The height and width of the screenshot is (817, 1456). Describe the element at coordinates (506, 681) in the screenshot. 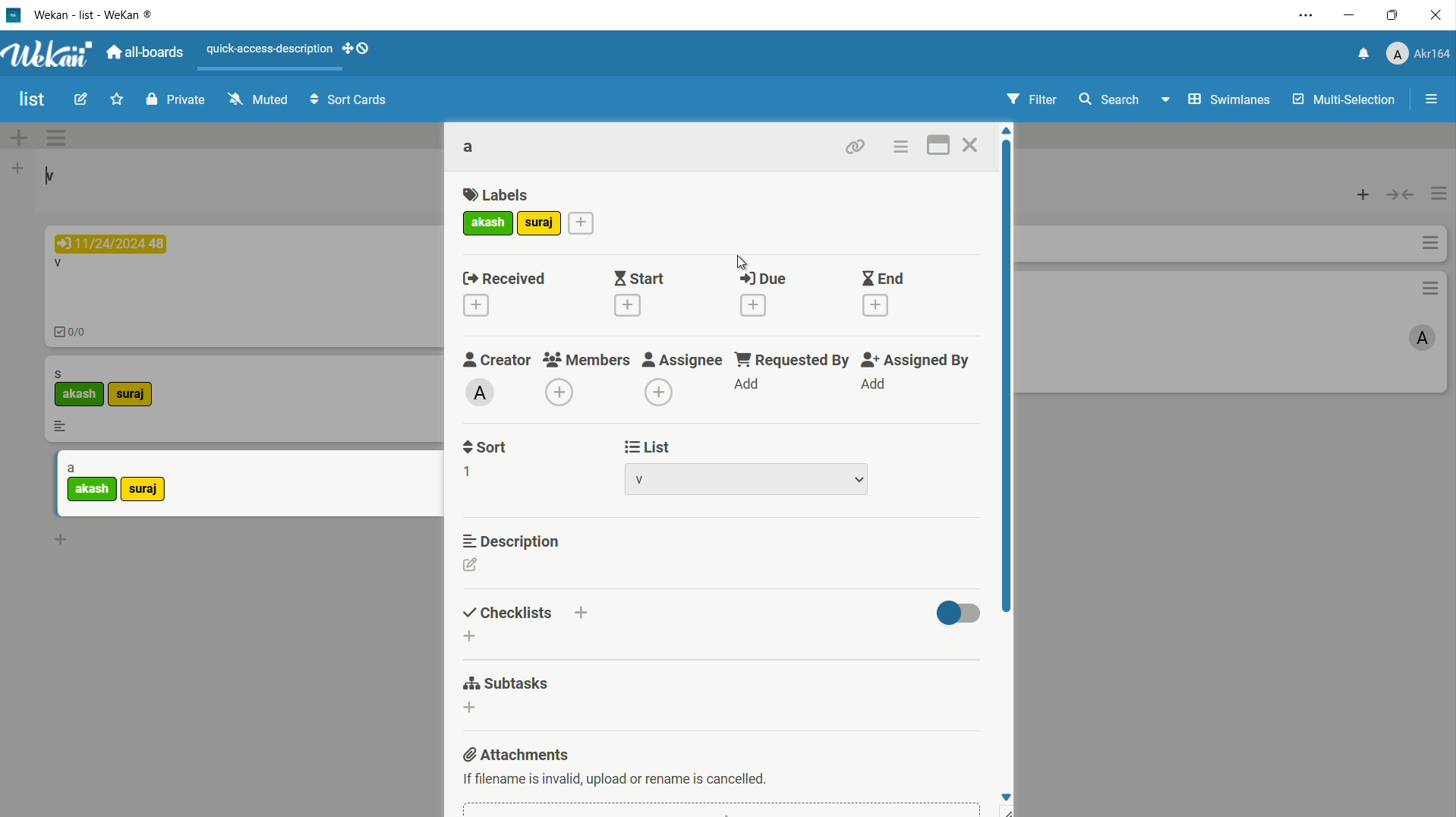

I see `subtasks` at that location.